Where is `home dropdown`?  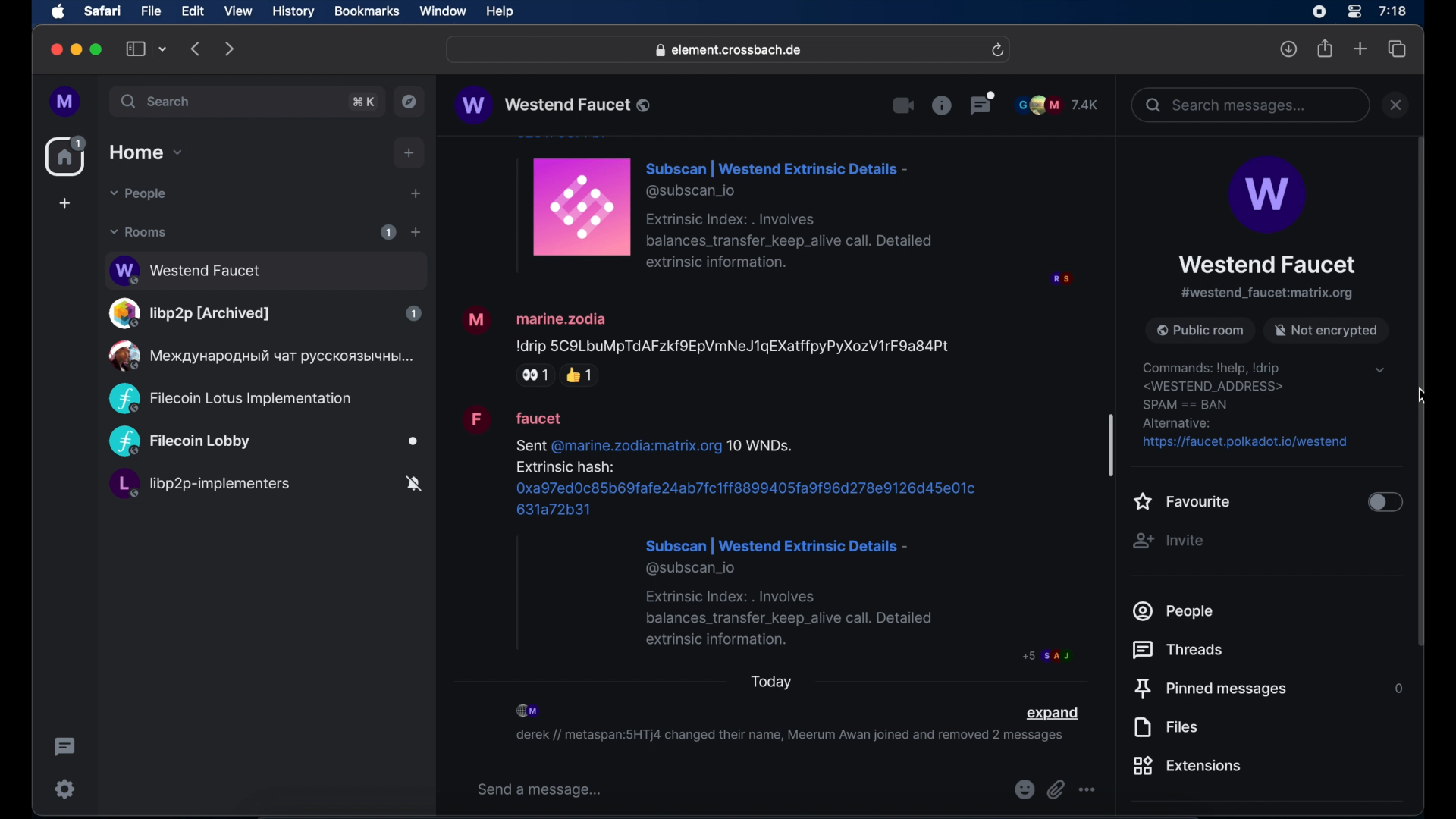
home dropdown is located at coordinates (146, 152).